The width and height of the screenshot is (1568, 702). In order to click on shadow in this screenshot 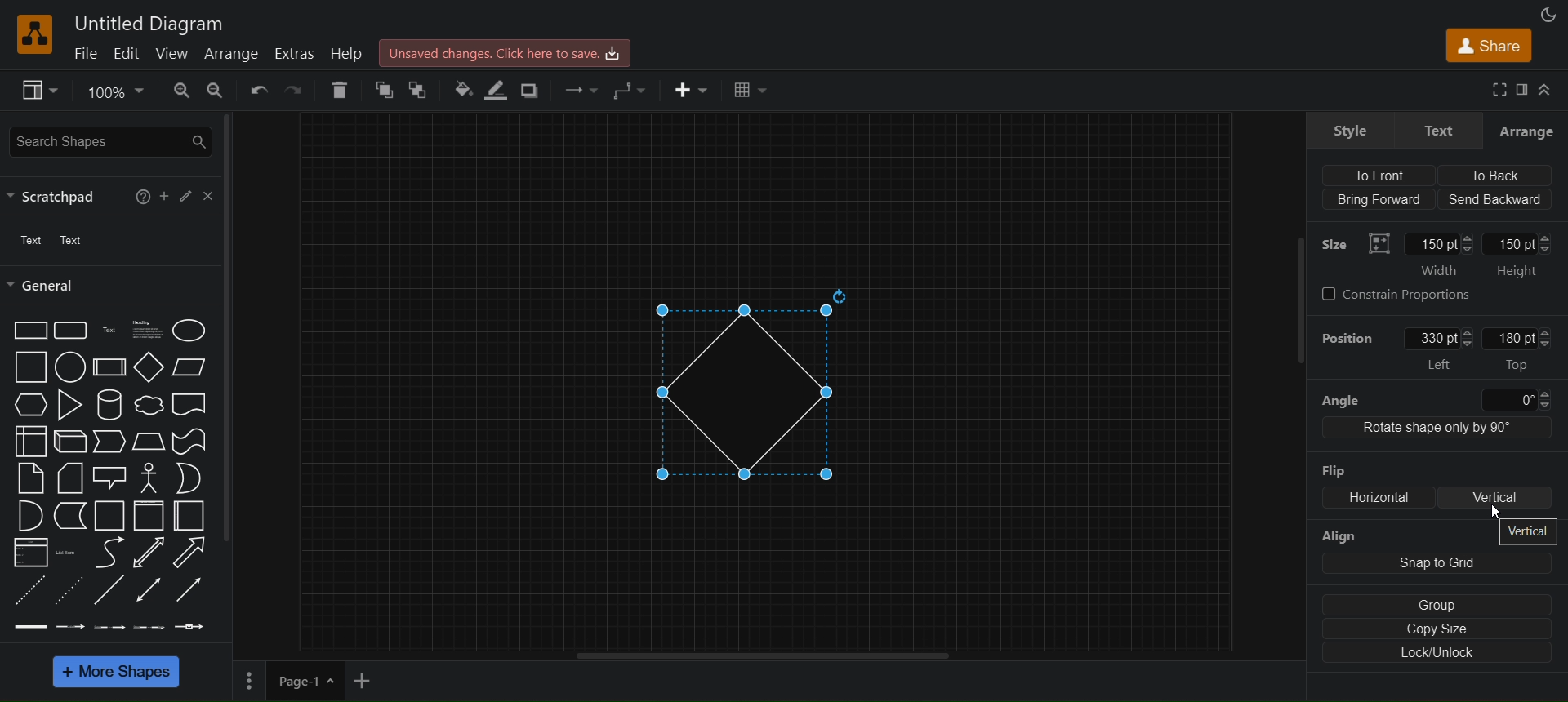, I will do `click(532, 90)`.